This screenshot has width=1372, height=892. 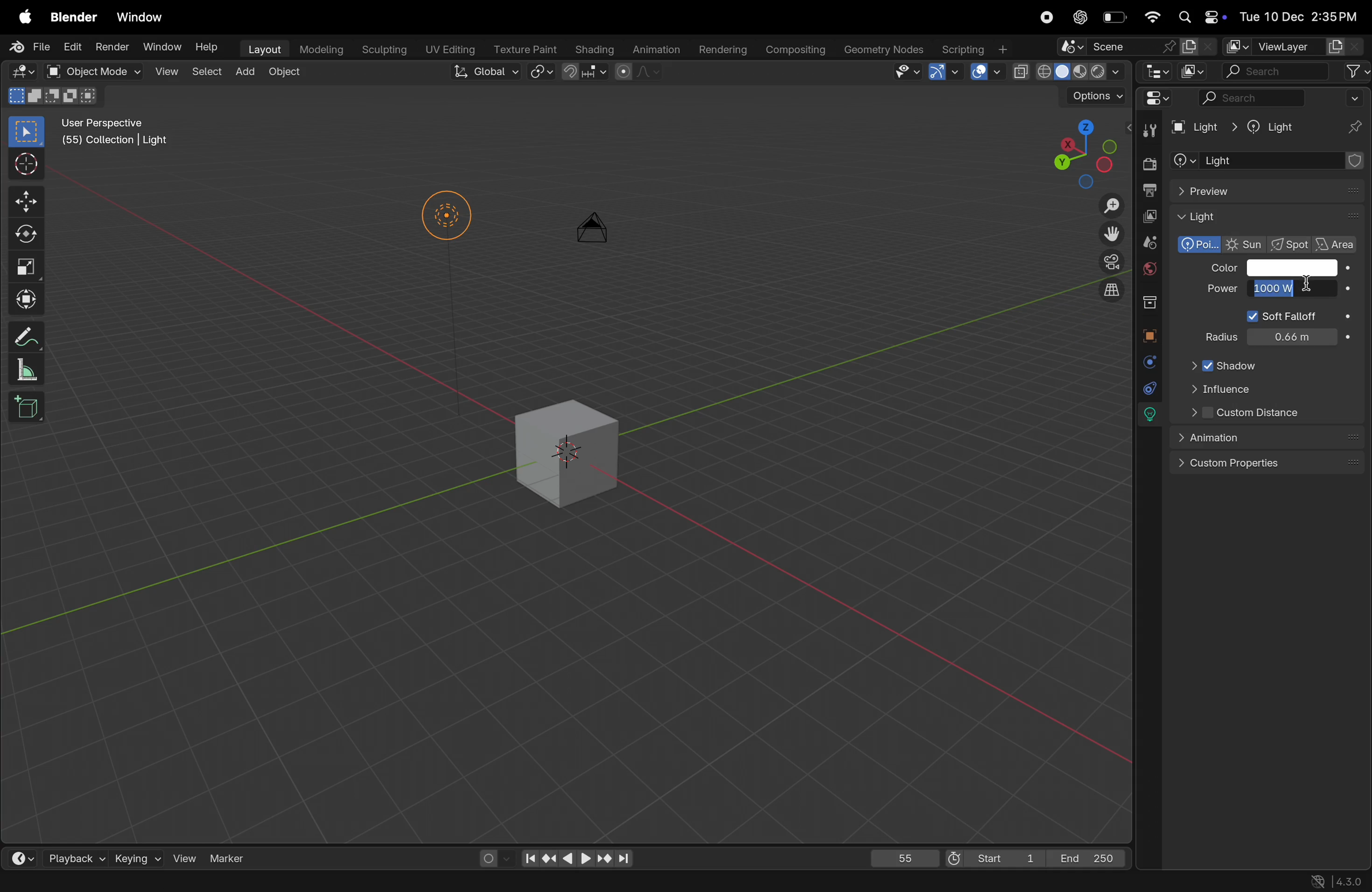 What do you see at coordinates (208, 48) in the screenshot?
I see `Help` at bounding box center [208, 48].